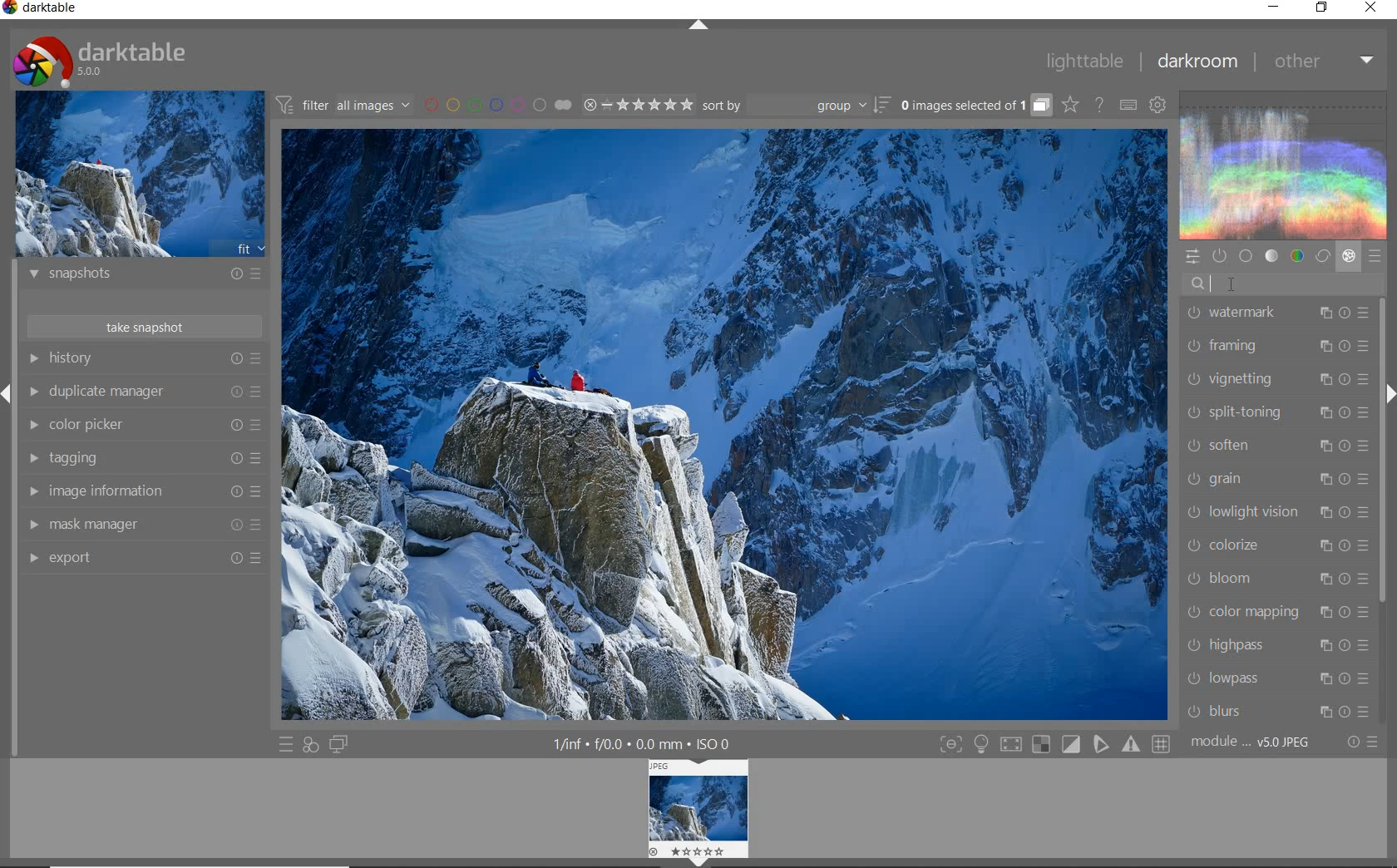 The height and width of the screenshot is (868, 1397). What do you see at coordinates (141, 173) in the screenshot?
I see `image preview` at bounding box center [141, 173].